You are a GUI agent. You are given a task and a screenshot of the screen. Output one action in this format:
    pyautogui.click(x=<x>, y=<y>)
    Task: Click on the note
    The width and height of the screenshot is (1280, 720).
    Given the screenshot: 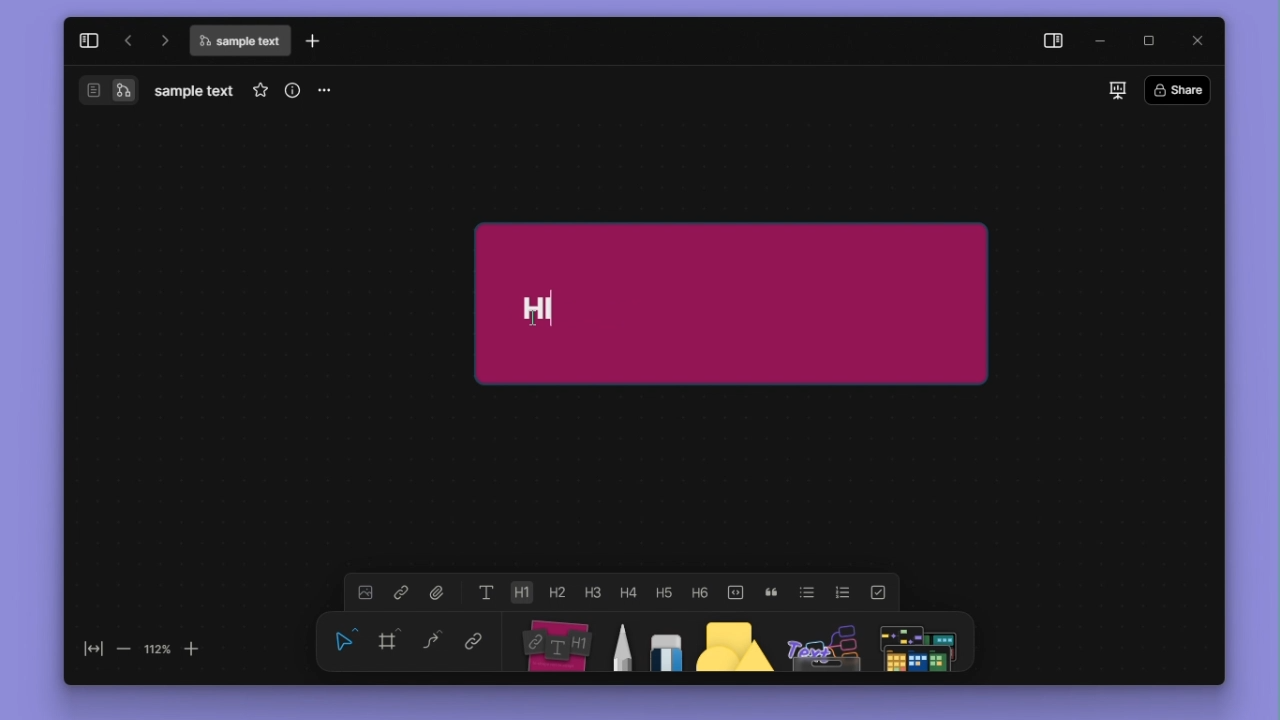 What is the action you would take?
    pyautogui.click(x=559, y=642)
    